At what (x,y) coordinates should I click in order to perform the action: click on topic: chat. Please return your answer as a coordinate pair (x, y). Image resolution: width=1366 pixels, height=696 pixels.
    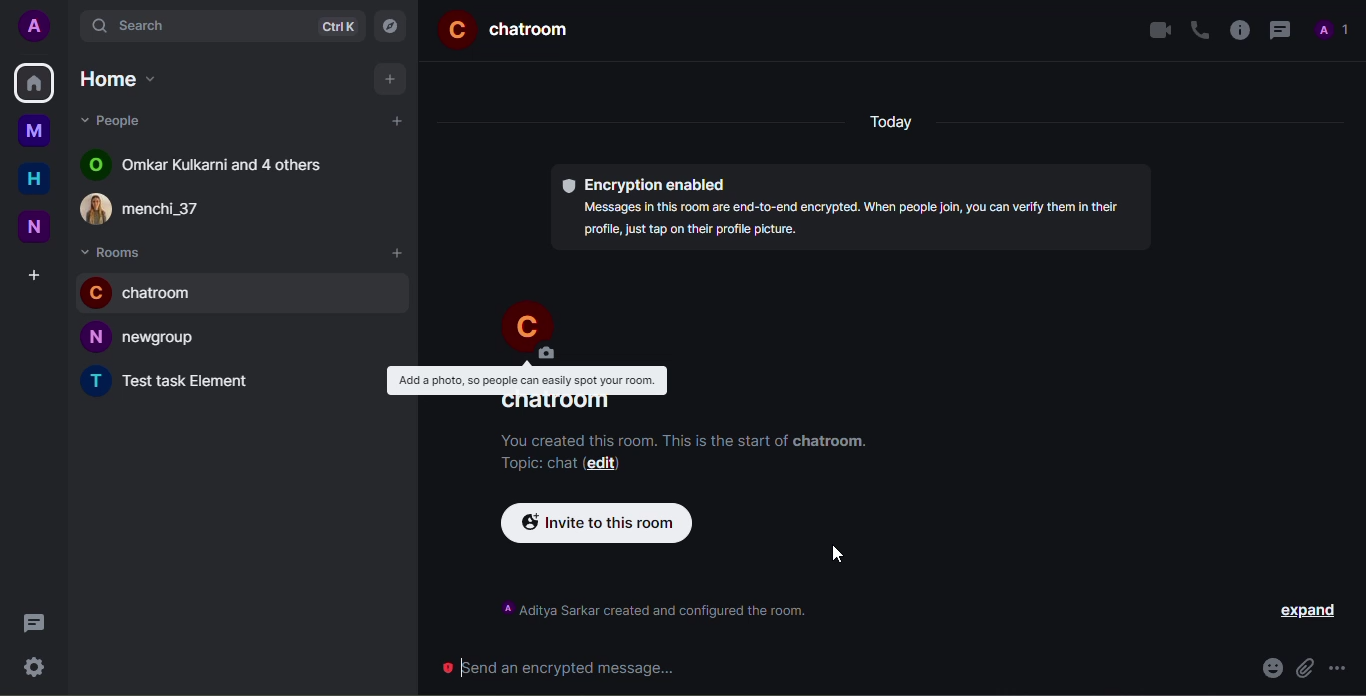
    Looking at the image, I should click on (539, 464).